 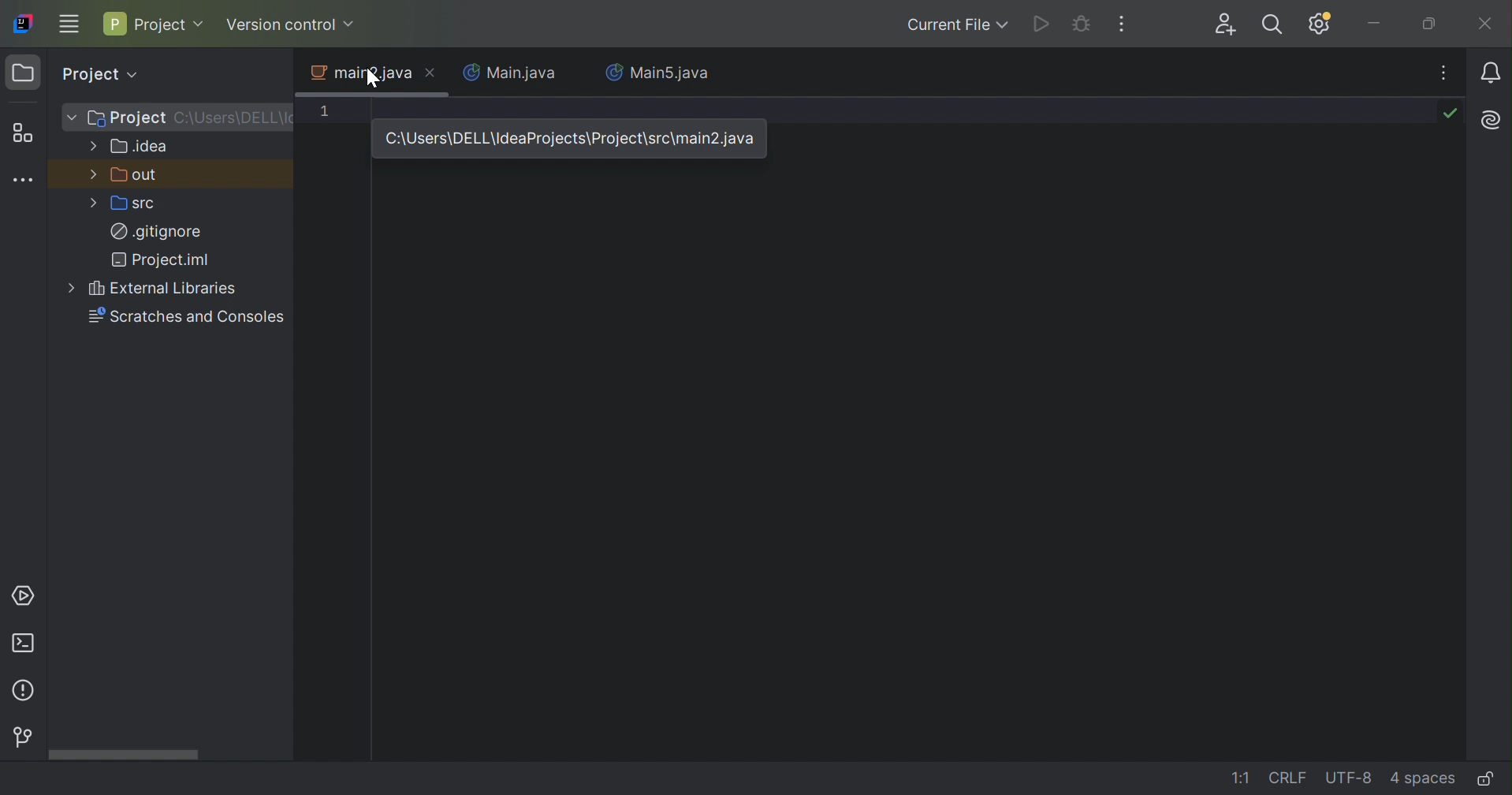 I want to click on Project.iml, so click(x=164, y=262).